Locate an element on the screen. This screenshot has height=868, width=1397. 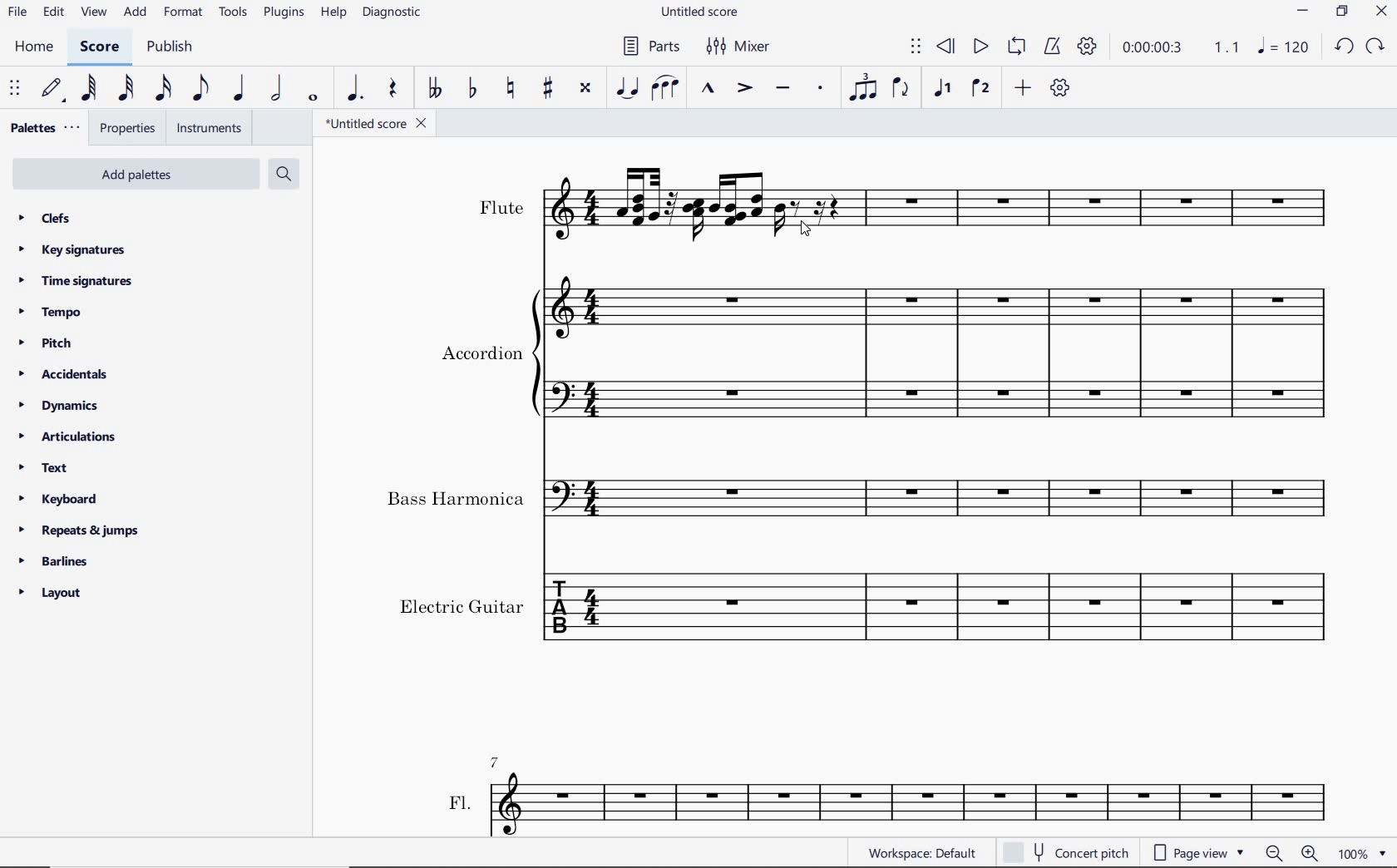
file is located at coordinates (16, 14).